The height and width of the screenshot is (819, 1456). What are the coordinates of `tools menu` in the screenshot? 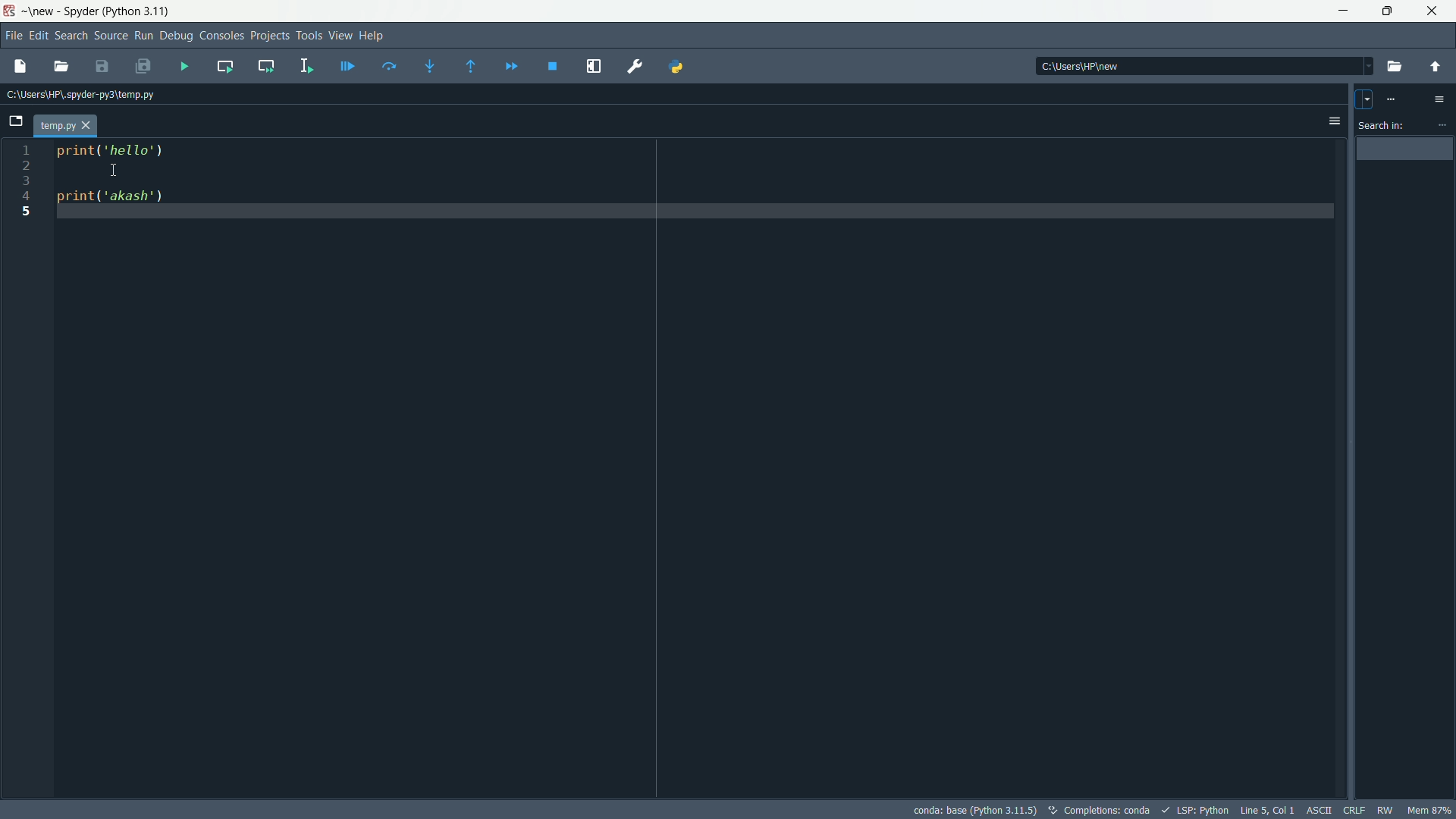 It's located at (309, 37).